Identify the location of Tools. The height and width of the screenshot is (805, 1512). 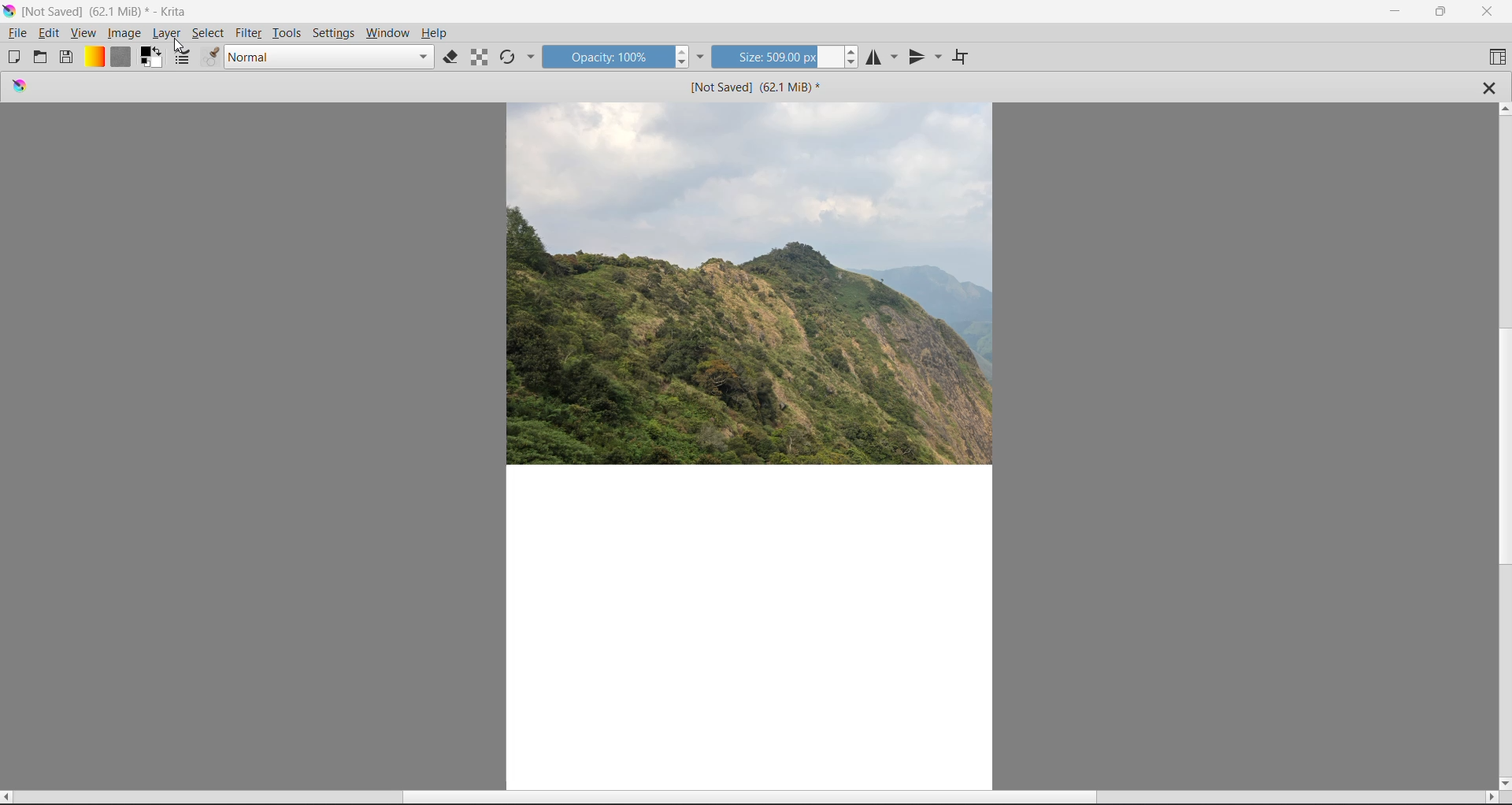
(289, 31).